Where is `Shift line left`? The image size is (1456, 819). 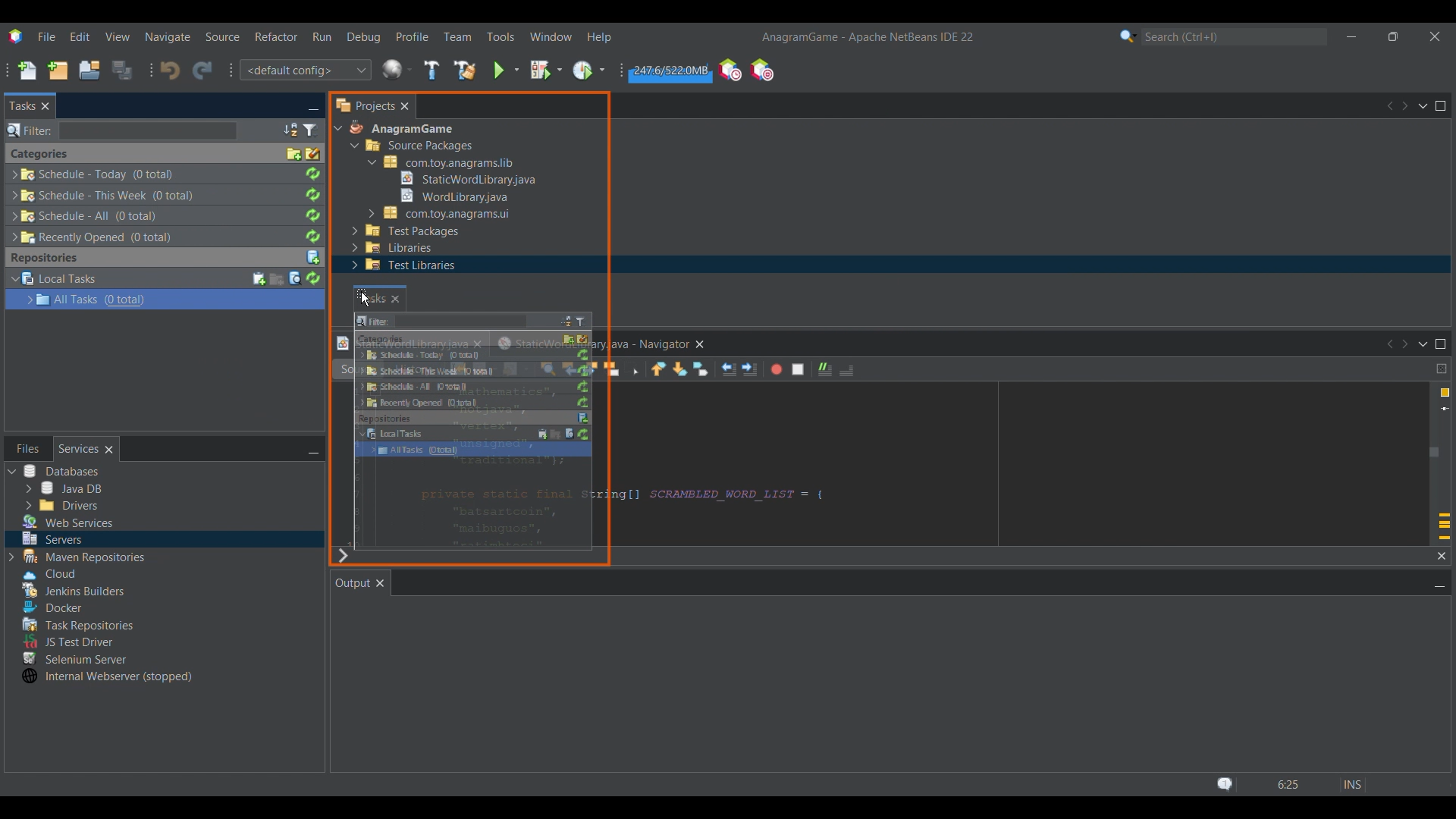 Shift line left is located at coordinates (729, 369).